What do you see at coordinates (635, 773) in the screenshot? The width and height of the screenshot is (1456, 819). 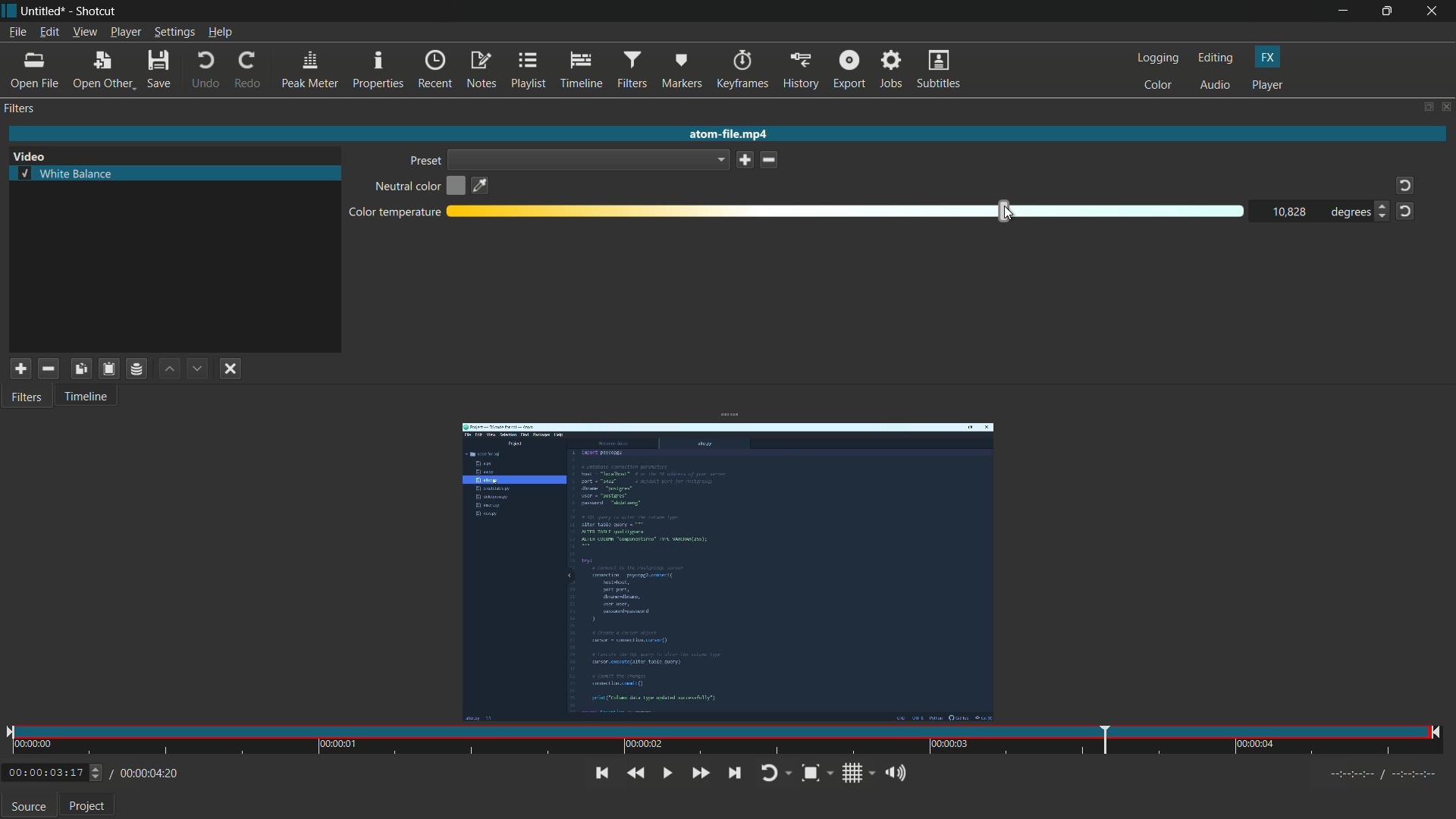 I see `quickly play backward` at bounding box center [635, 773].